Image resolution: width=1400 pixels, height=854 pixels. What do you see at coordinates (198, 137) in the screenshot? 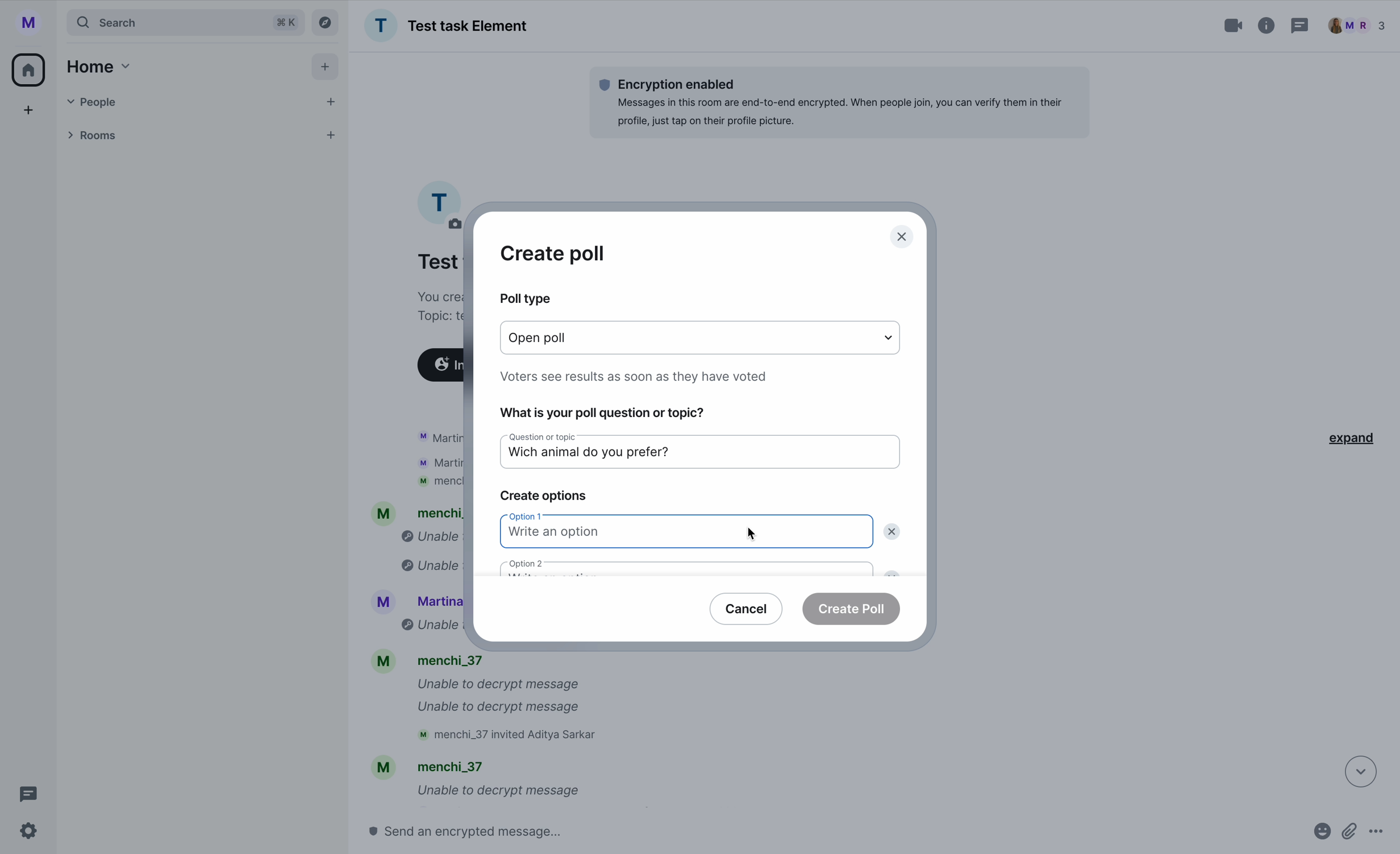
I see `rooms tab` at bounding box center [198, 137].